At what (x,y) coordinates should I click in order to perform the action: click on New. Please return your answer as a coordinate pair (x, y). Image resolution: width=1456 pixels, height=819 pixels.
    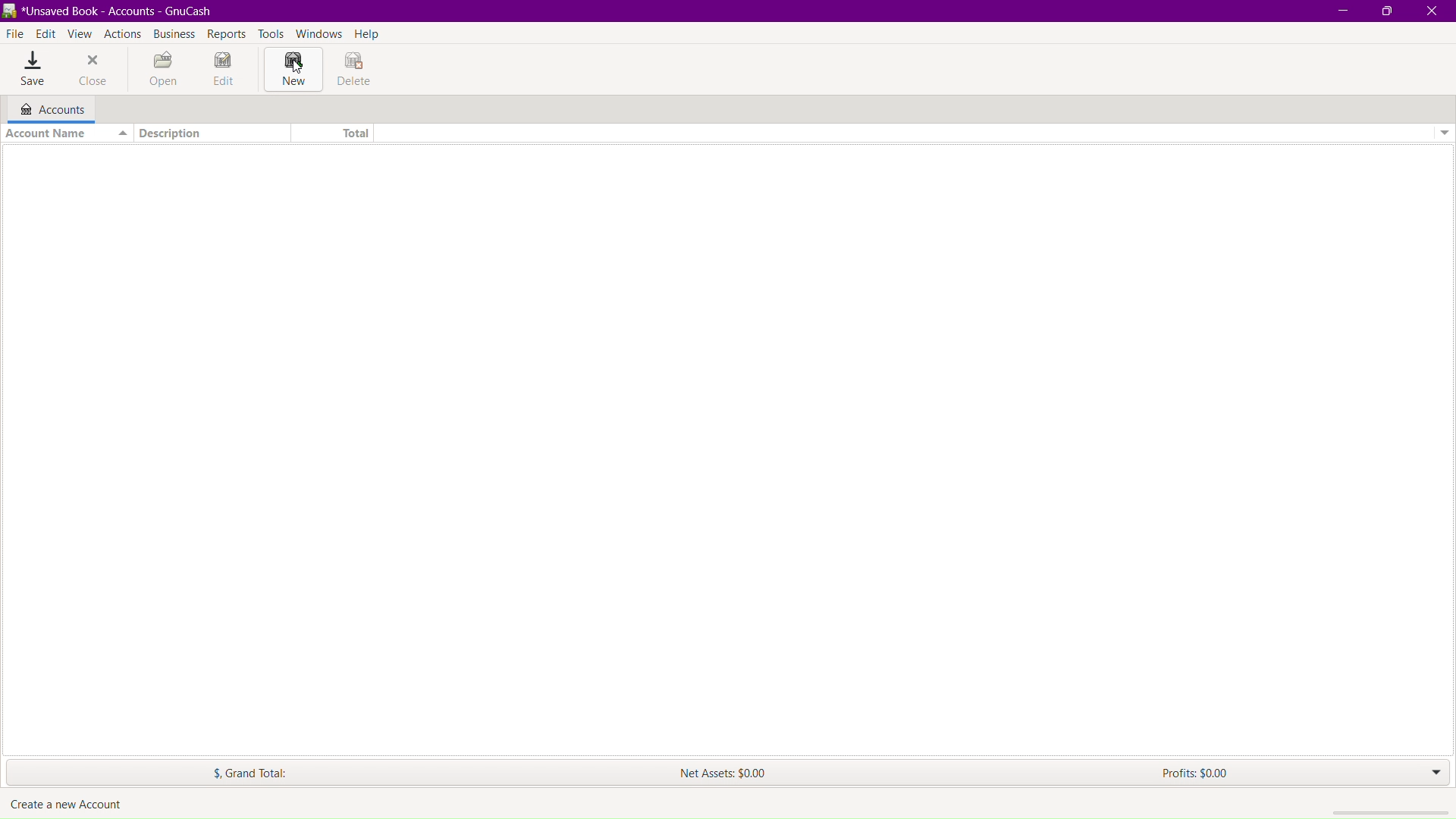
    Looking at the image, I should click on (290, 71).